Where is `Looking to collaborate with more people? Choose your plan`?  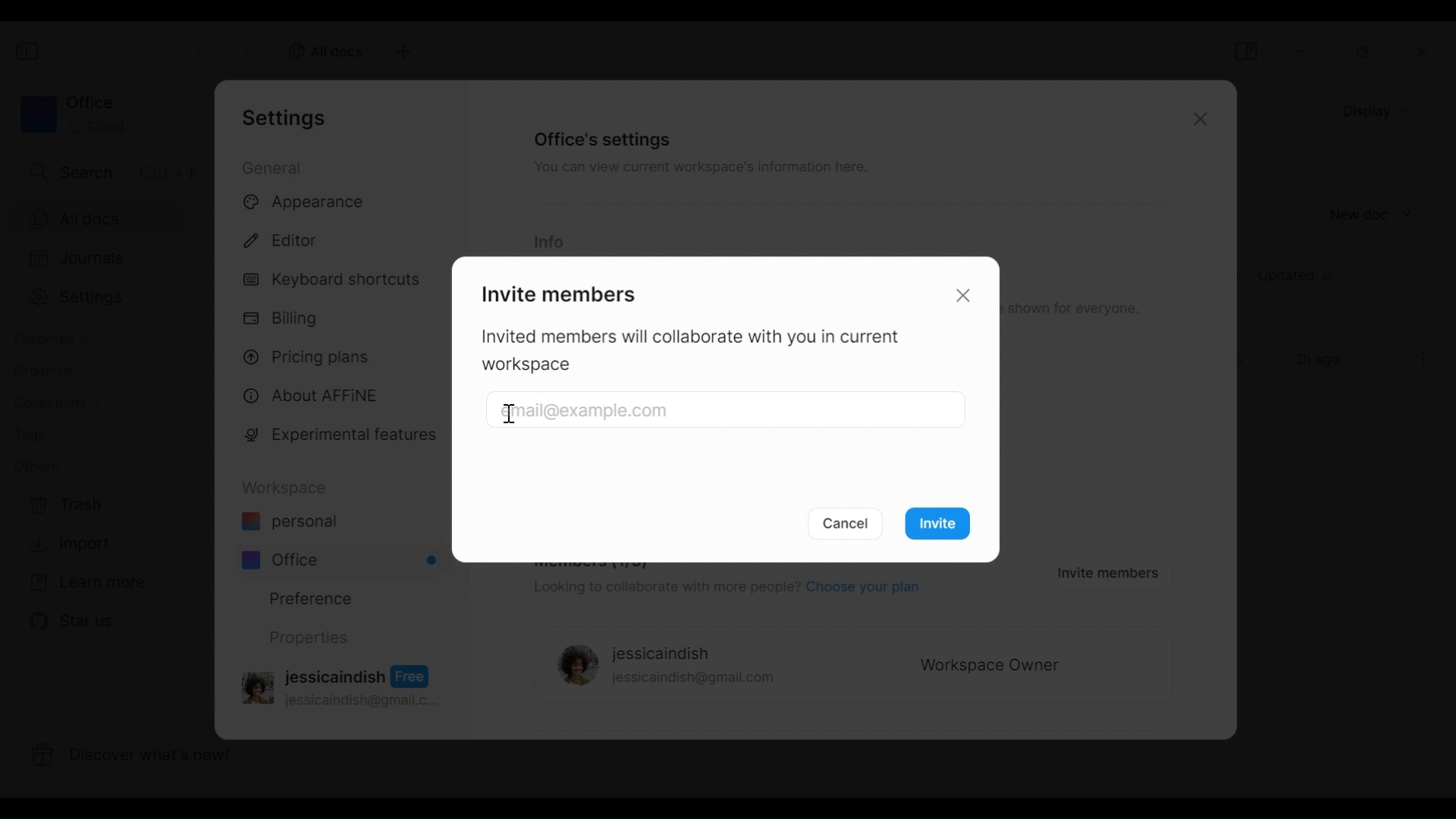 Looking to collaborate with more people? Choose your plan is located at coordinates (724, 589).